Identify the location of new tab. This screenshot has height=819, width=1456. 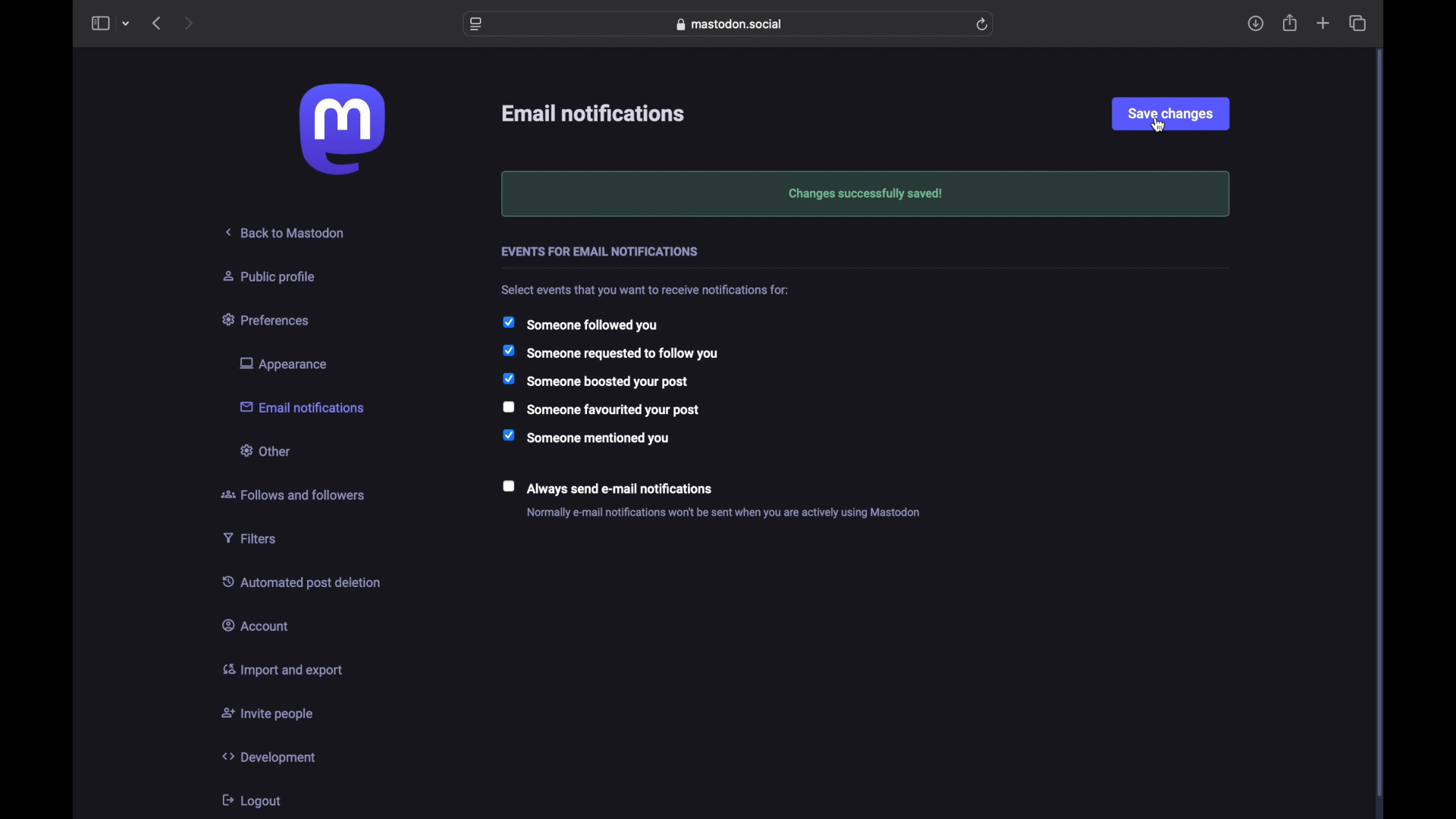
(1323, 24).